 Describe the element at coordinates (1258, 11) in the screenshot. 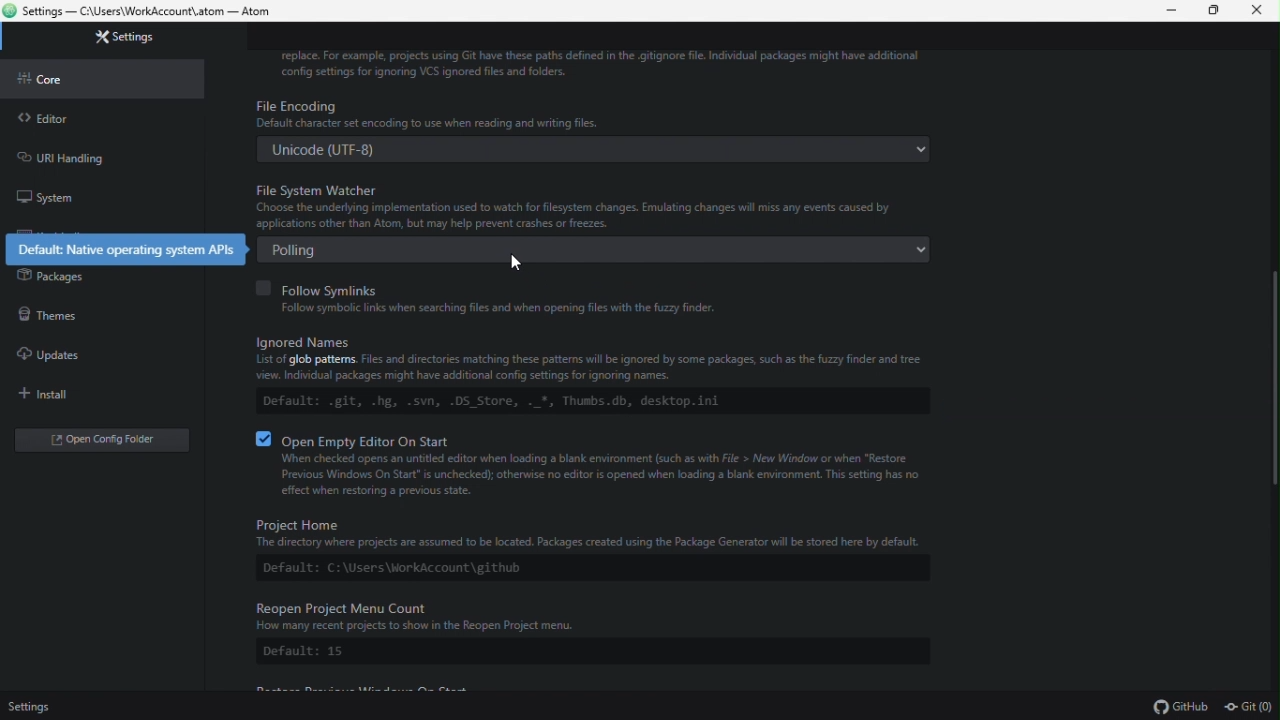

I see `close` at that location.